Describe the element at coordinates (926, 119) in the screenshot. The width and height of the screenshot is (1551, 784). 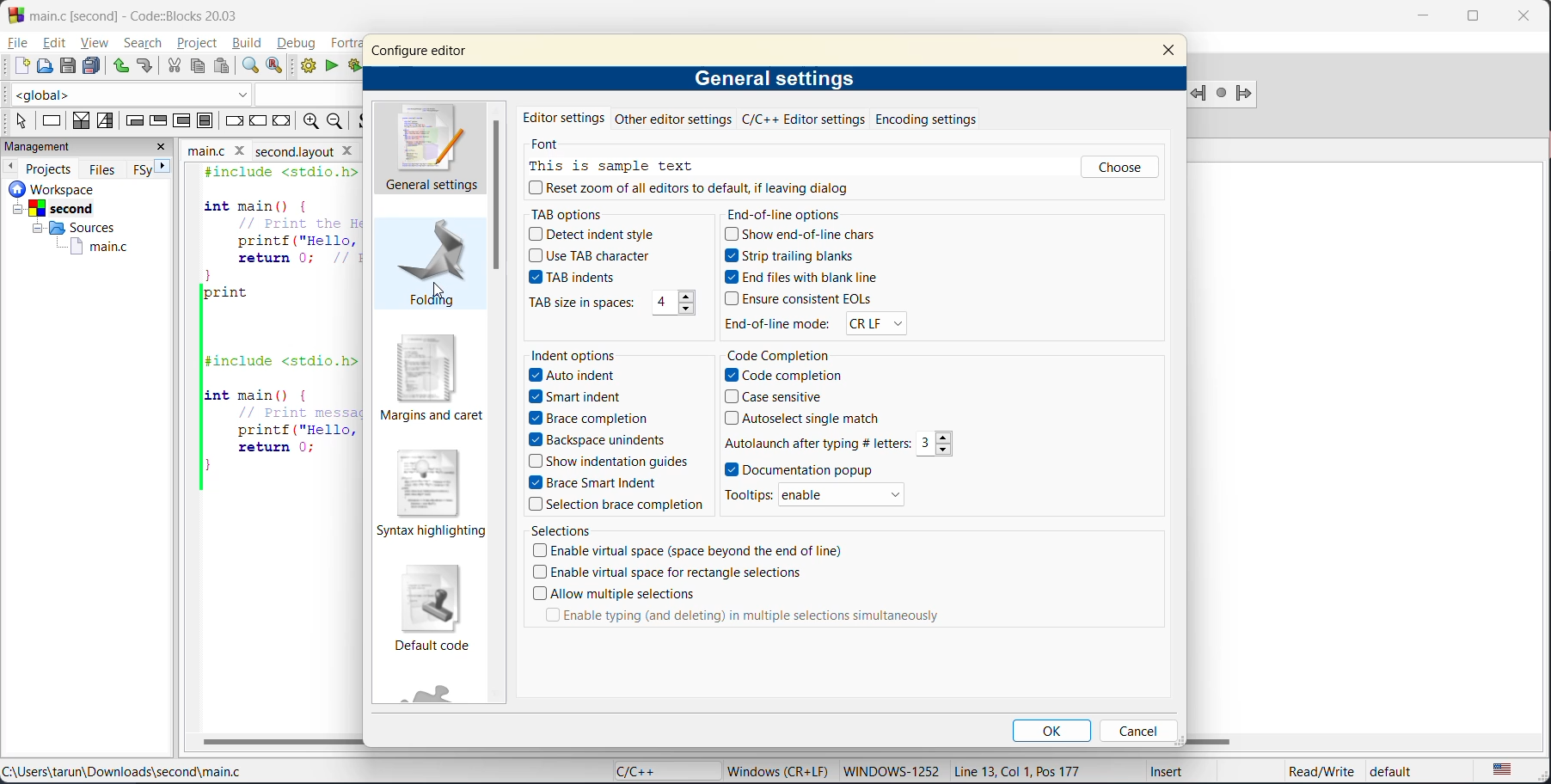
I see `encoding settings` at that location.